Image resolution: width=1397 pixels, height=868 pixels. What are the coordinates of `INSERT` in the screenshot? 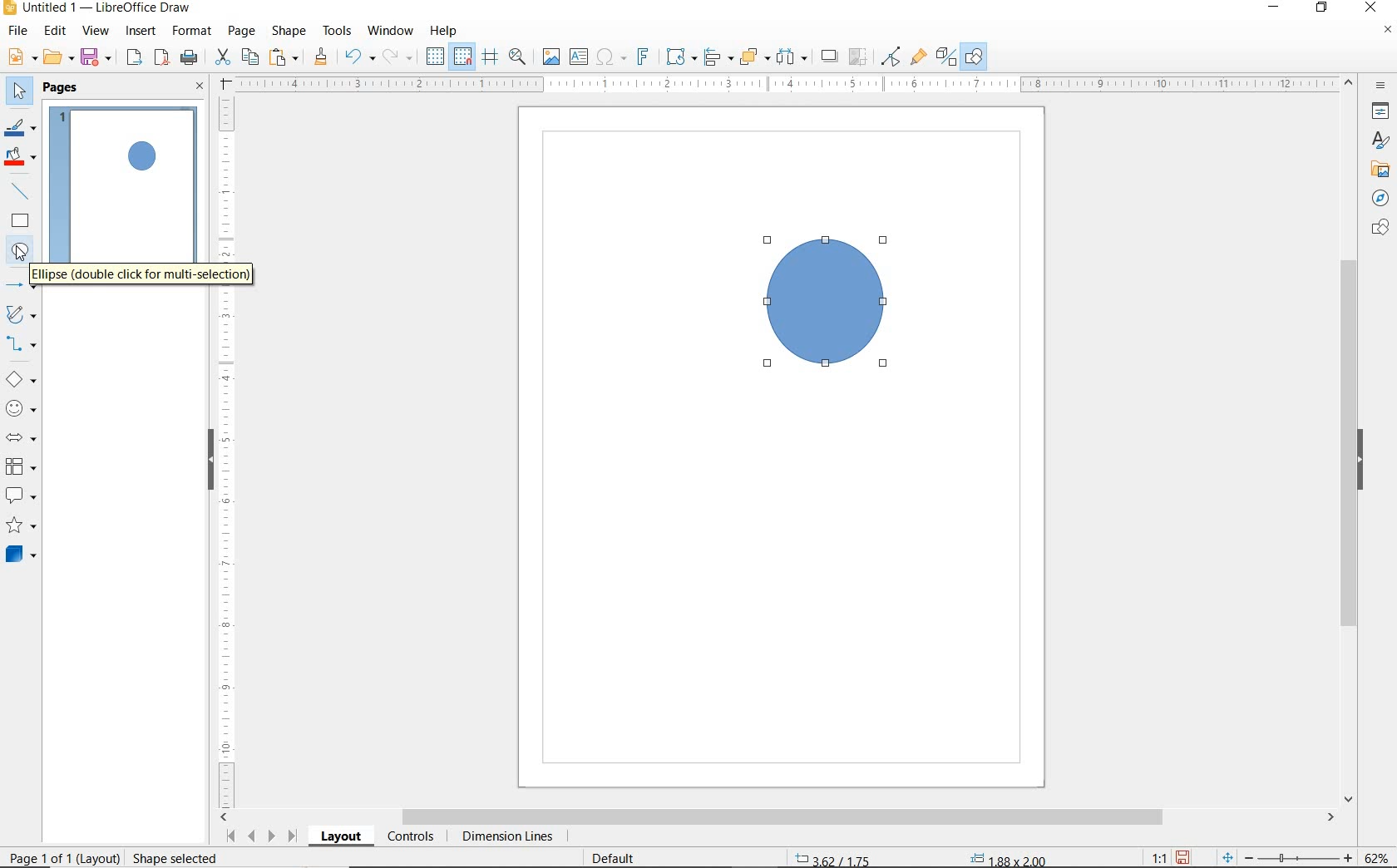 It's located at (143, 32).